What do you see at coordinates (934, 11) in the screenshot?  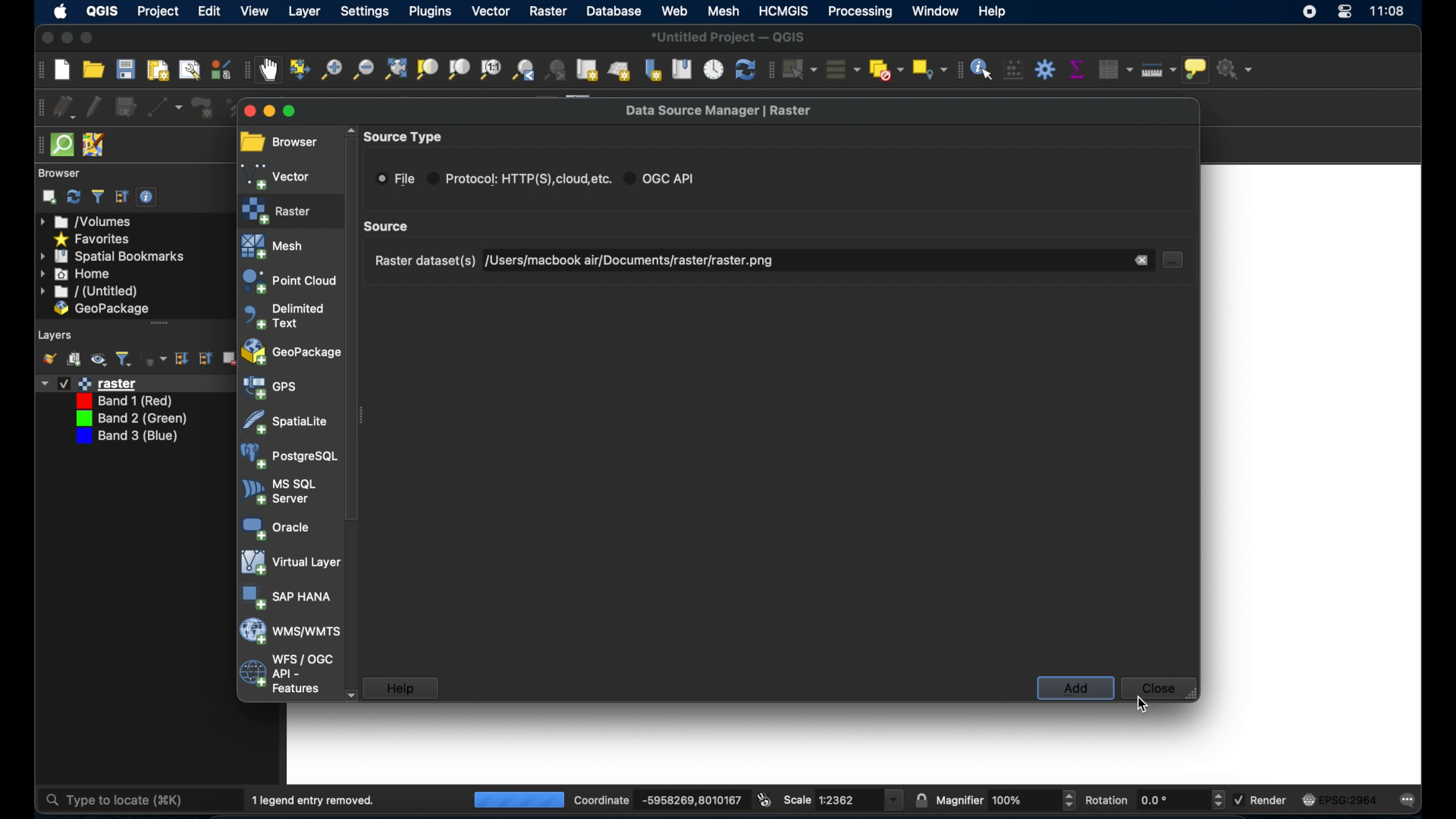 I see `window` at bounding box center [934, 11].